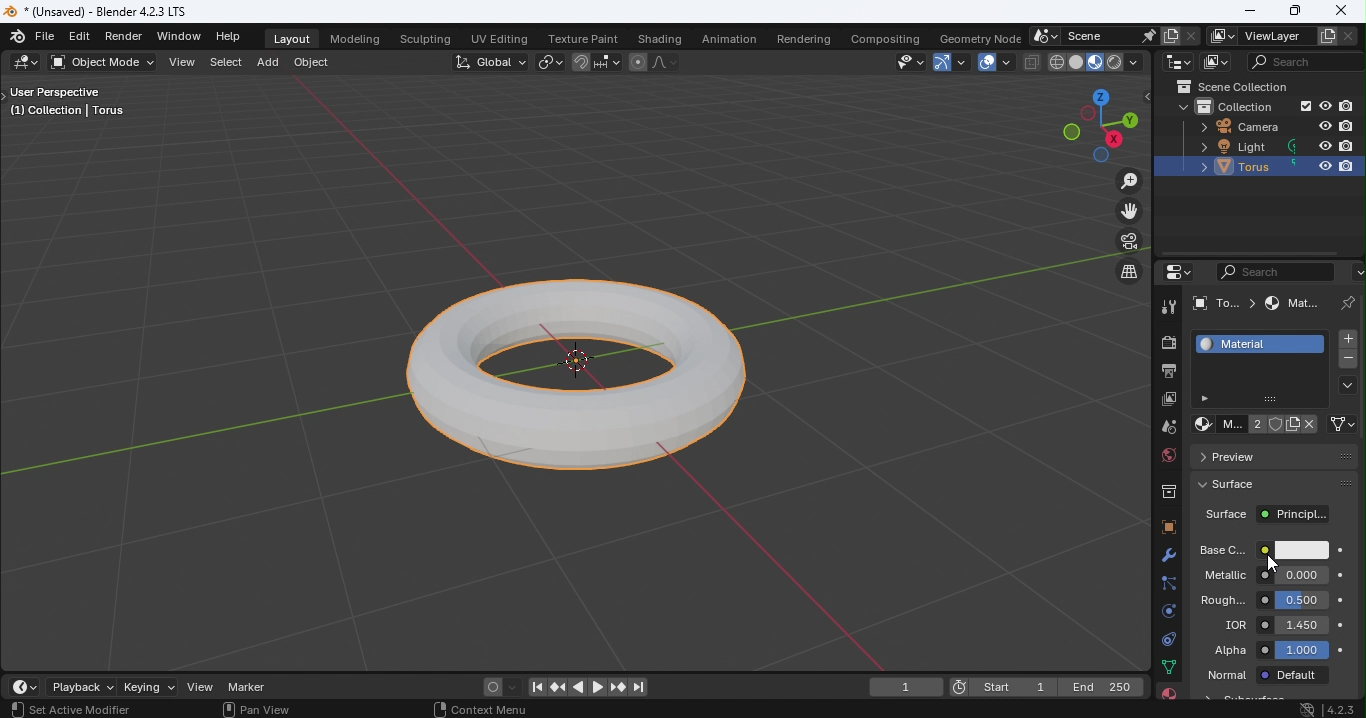 This screenshot has height=718, width=1366. What do you see at coordinates (961, 688) in the screenshot?
I see `Current frame` at bounding box center [961, 688].